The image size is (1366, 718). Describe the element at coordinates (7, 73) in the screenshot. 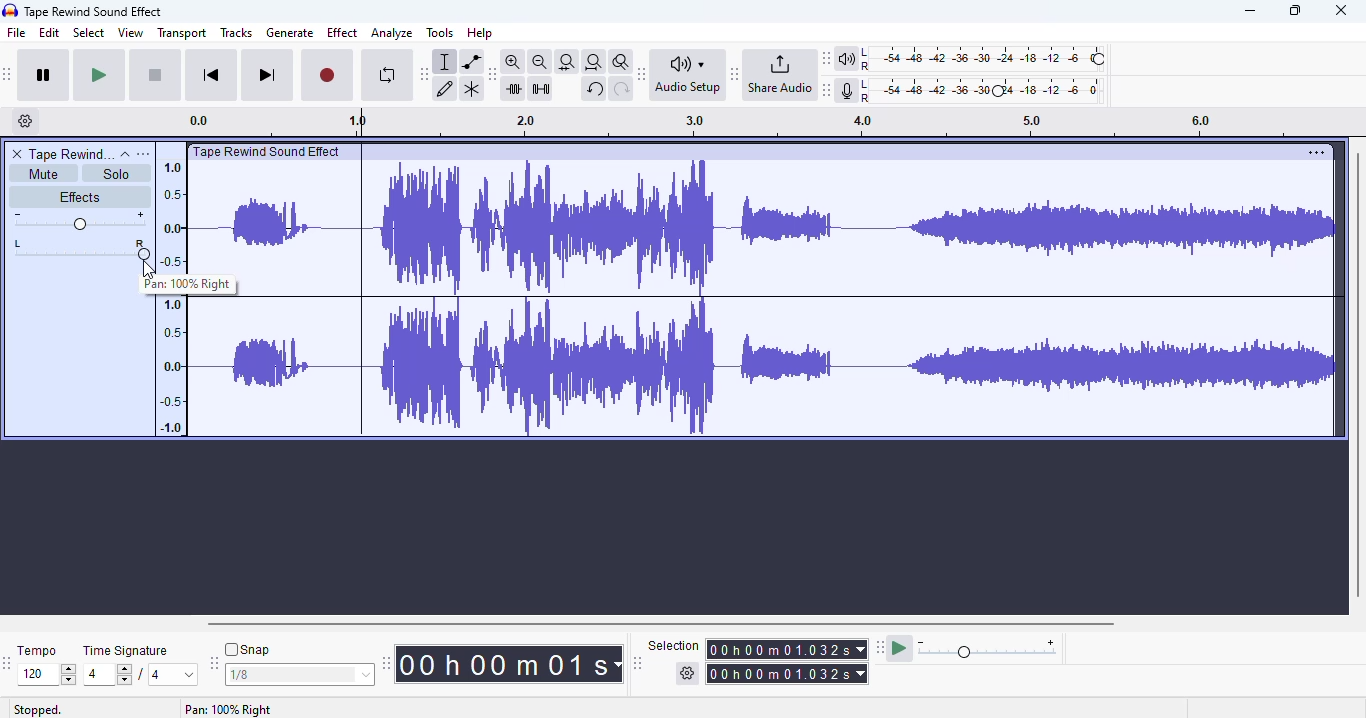

I see `audacity transport toolbar` at that location.